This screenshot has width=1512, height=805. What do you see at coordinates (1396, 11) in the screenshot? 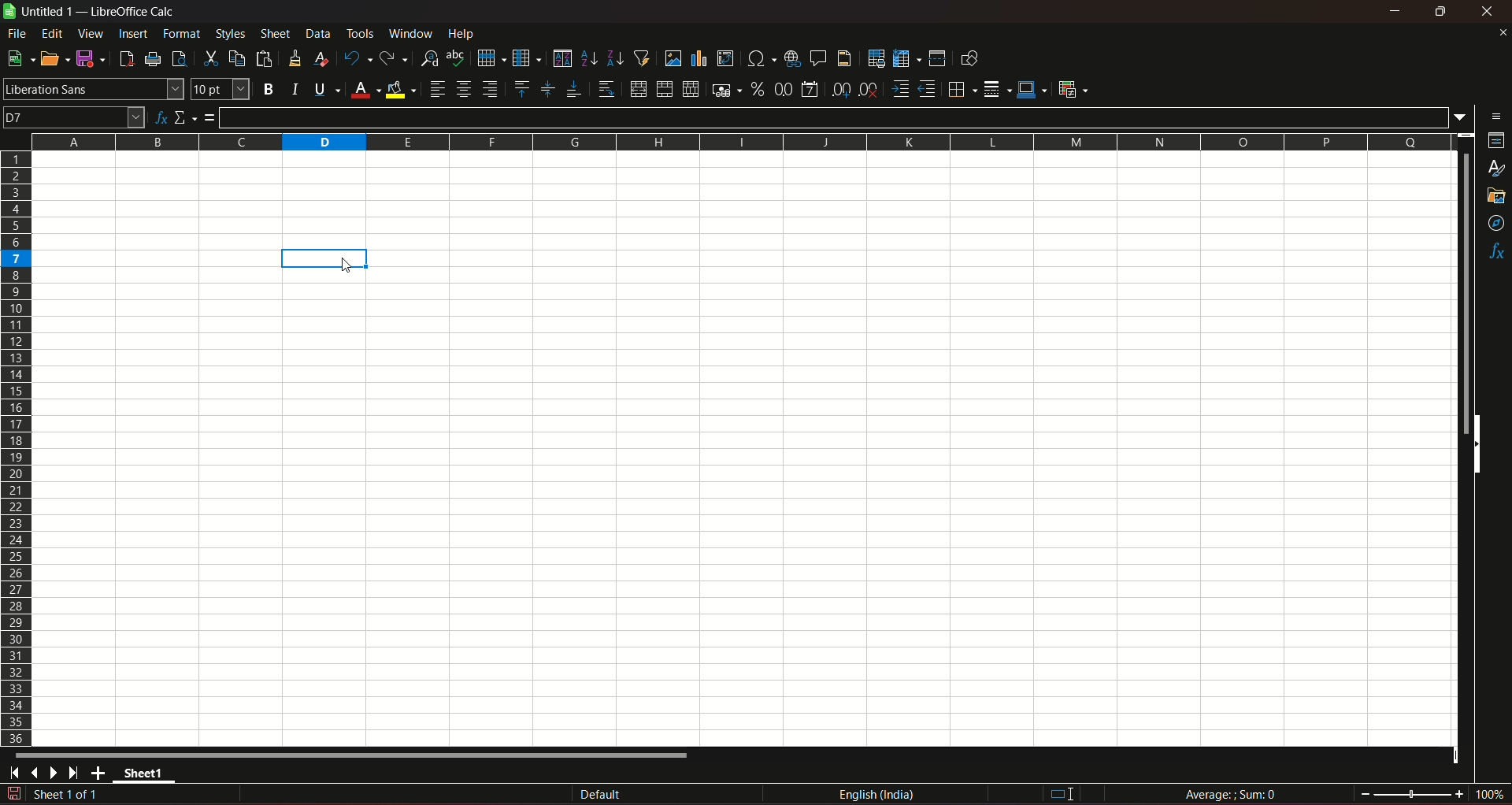
I see `minimize` at bounding box center [1396, 11].